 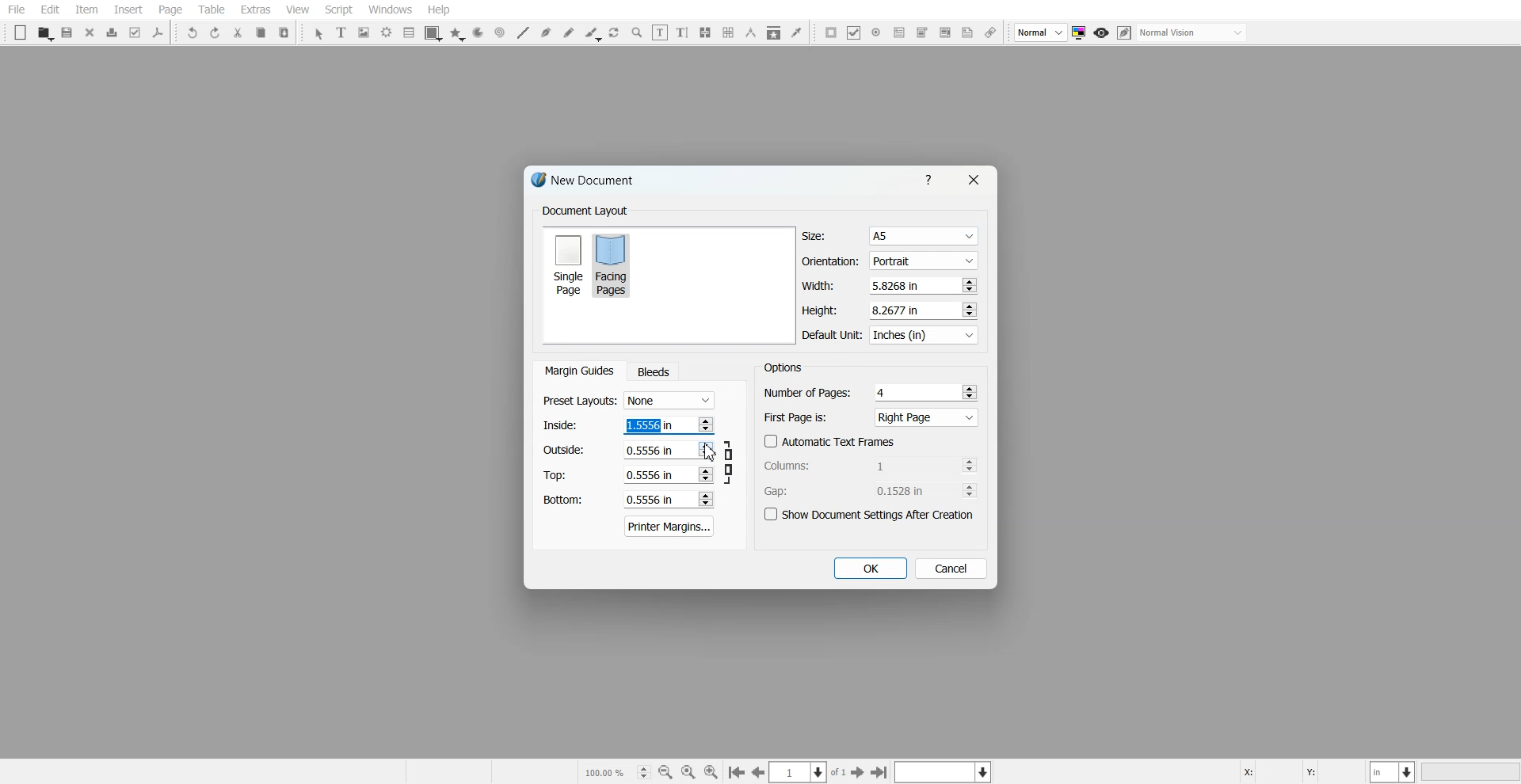 I want to click on OK, so click(x=869, y=569).